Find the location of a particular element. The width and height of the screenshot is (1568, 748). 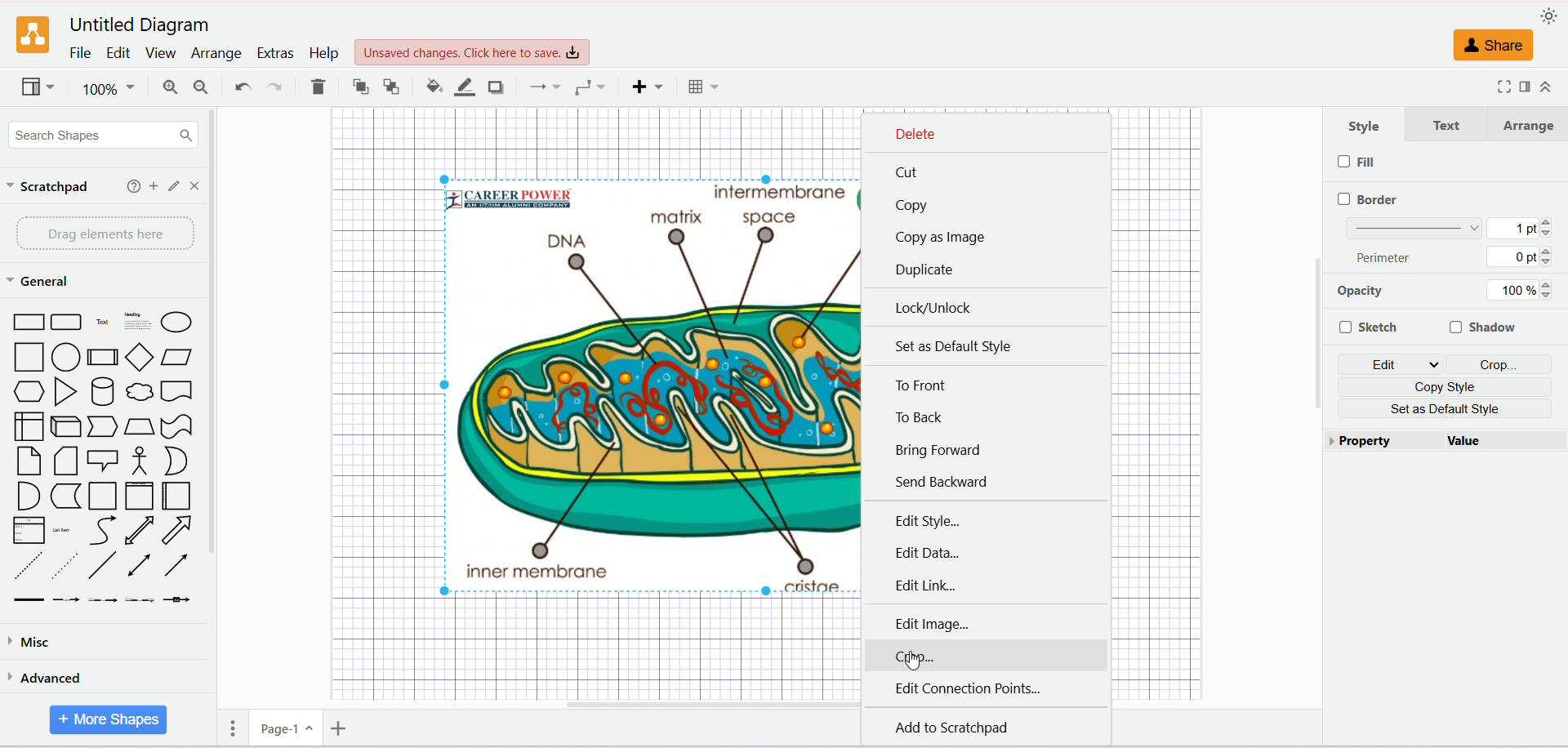

redo is located at coordinates (275, 88).